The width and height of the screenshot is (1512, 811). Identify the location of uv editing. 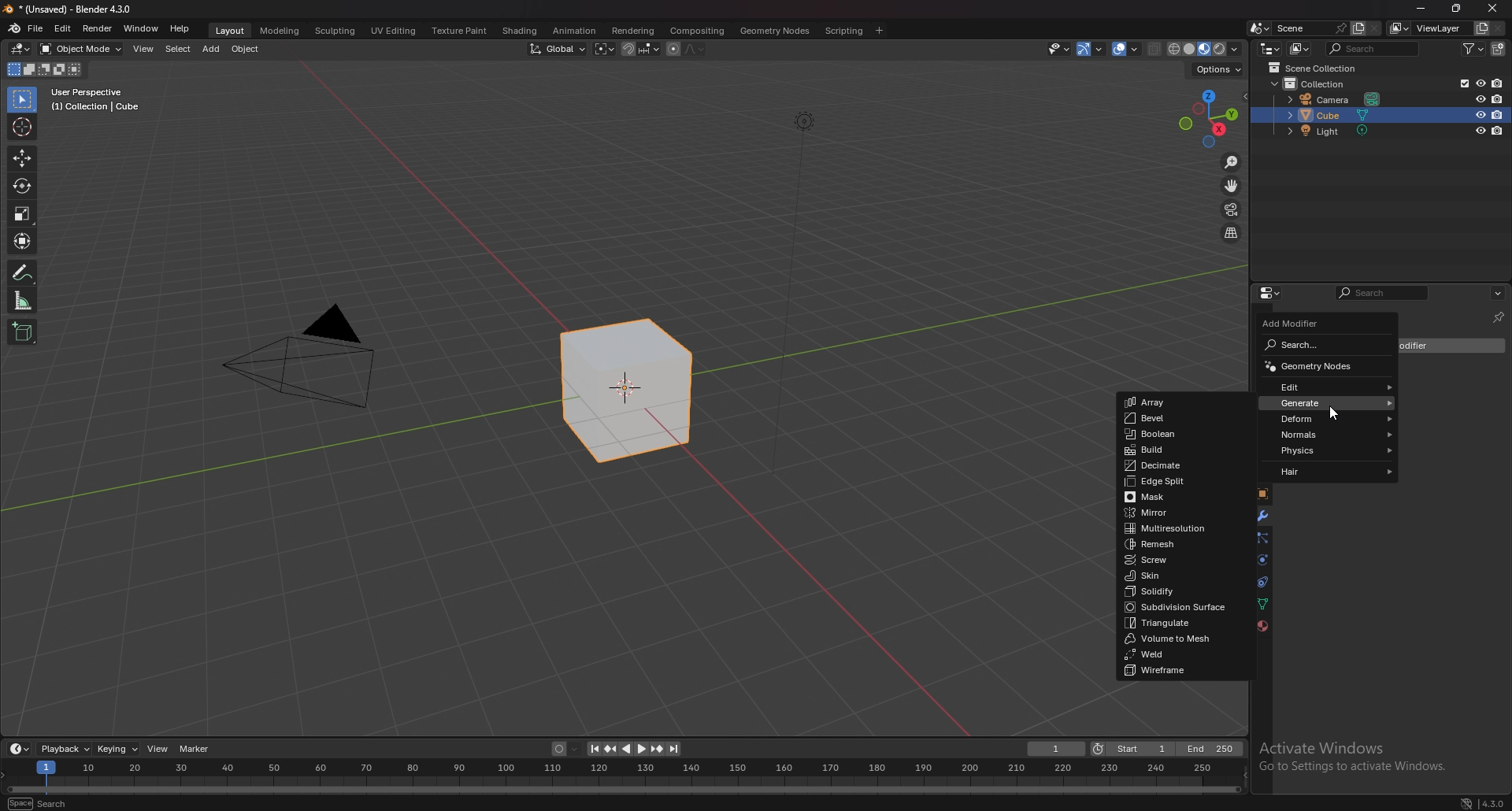
(392, 30).